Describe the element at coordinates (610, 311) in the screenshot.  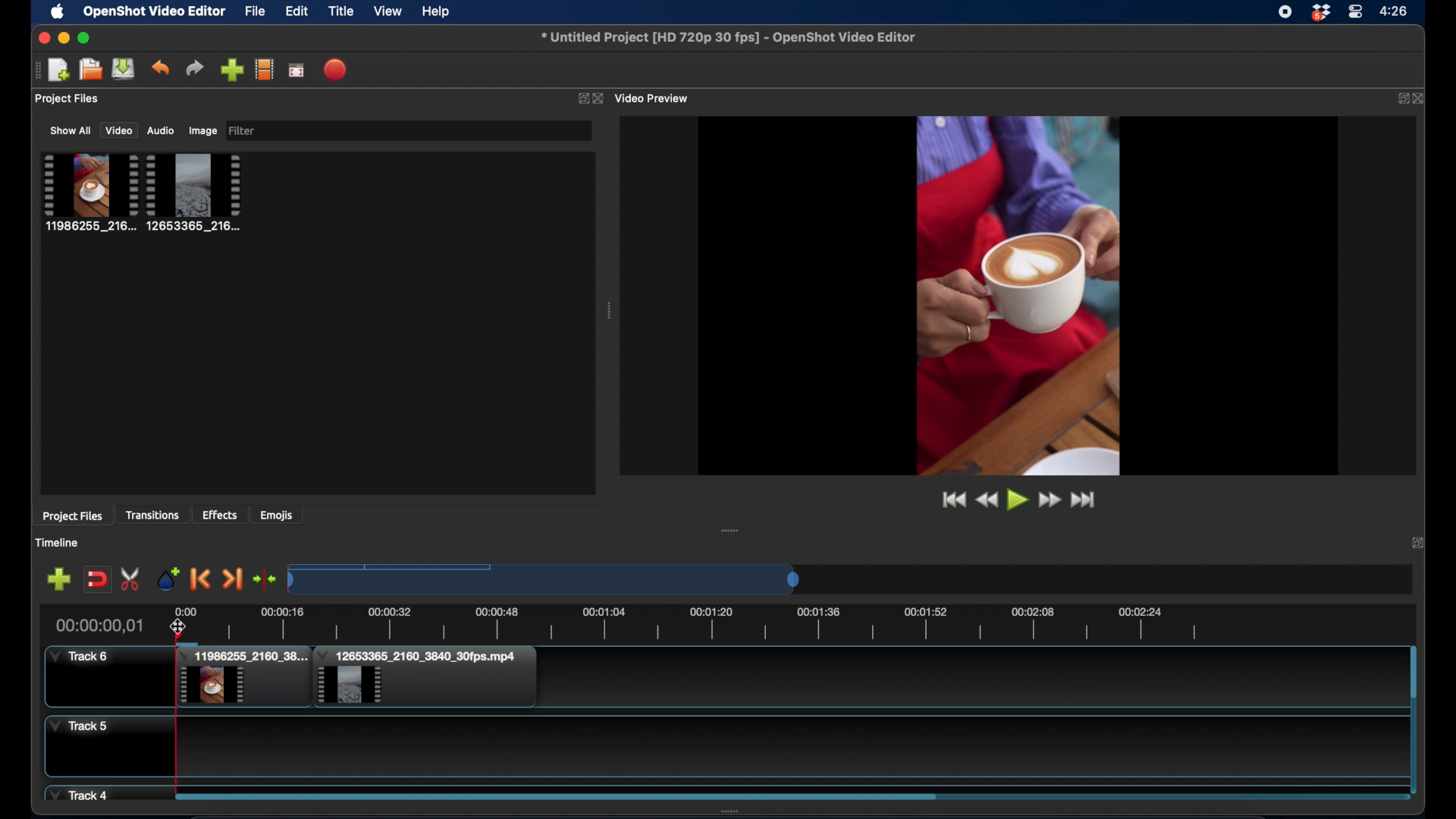
I see `drag handle` at that location.